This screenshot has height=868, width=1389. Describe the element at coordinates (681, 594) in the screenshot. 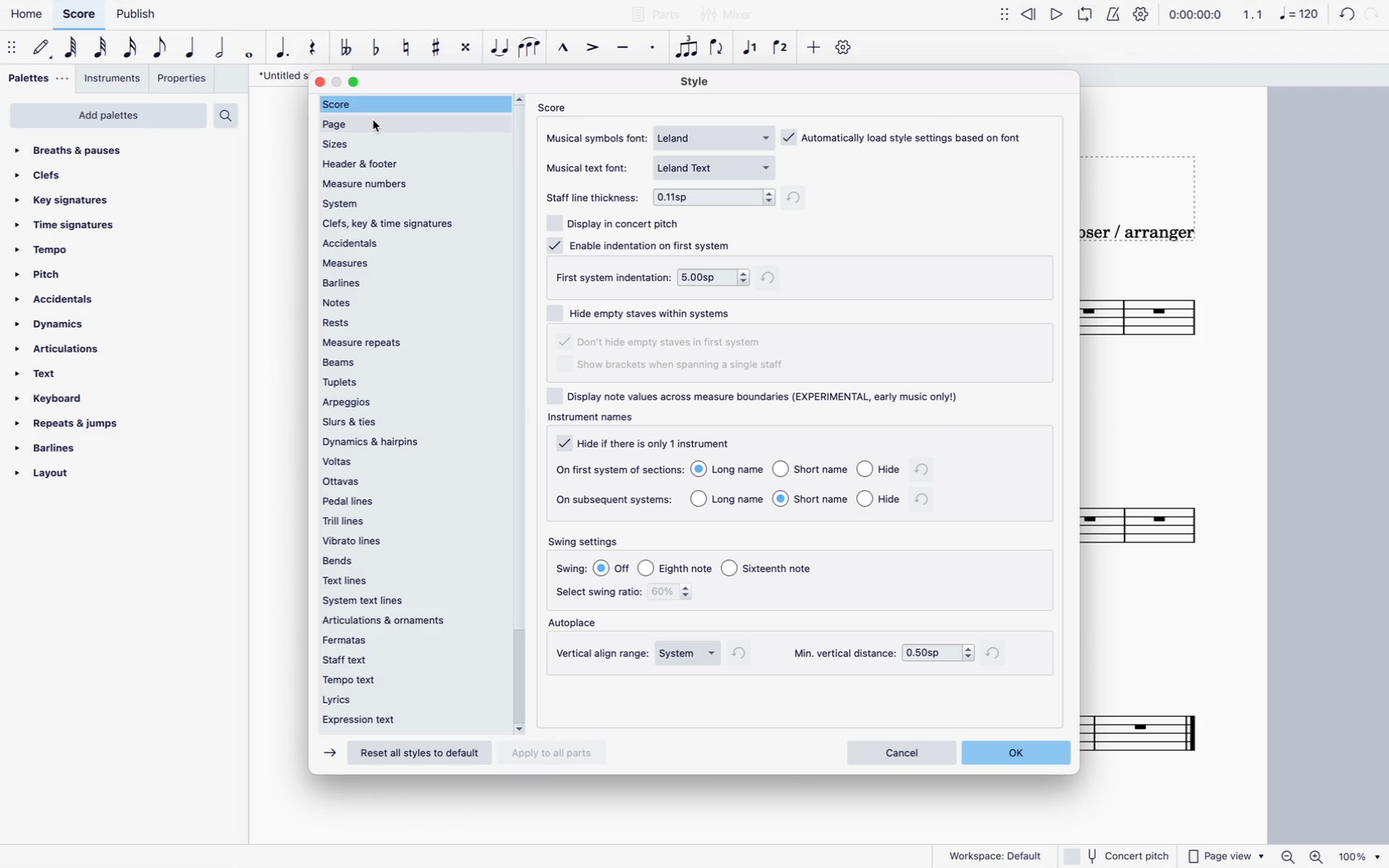

I see `swing ratio` at that location.